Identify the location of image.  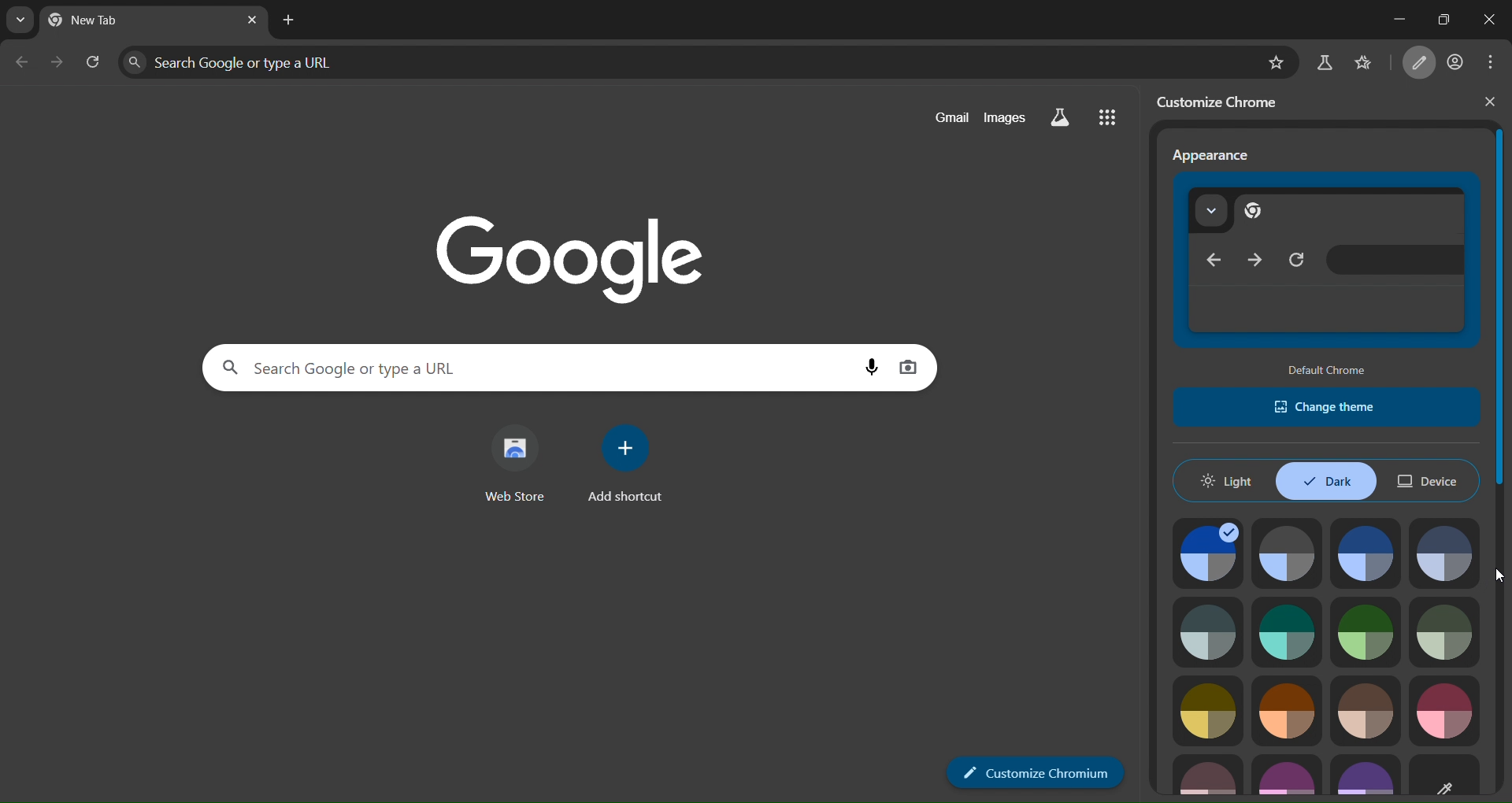
(1209, 776).